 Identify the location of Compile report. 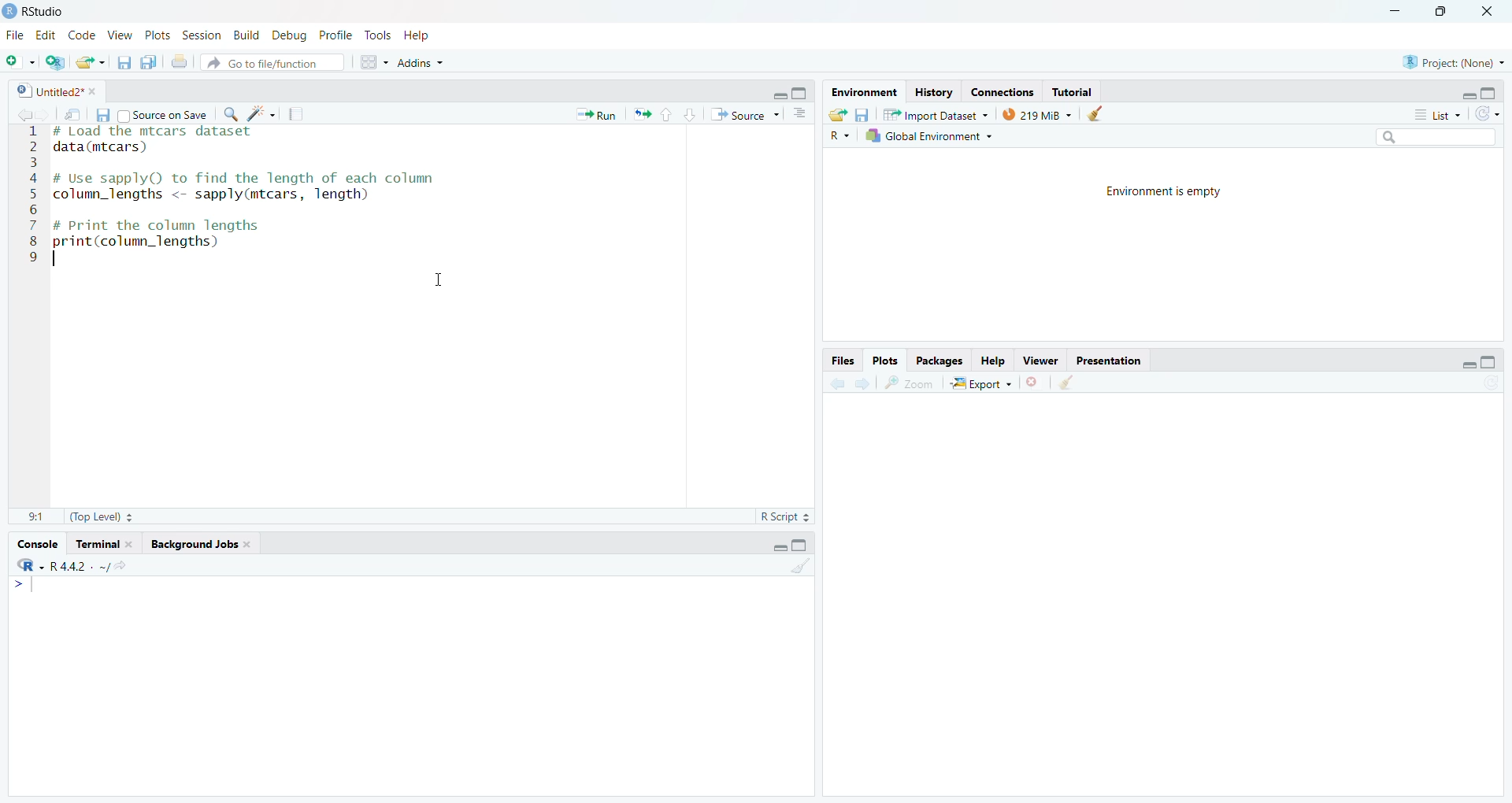
(296, 113).